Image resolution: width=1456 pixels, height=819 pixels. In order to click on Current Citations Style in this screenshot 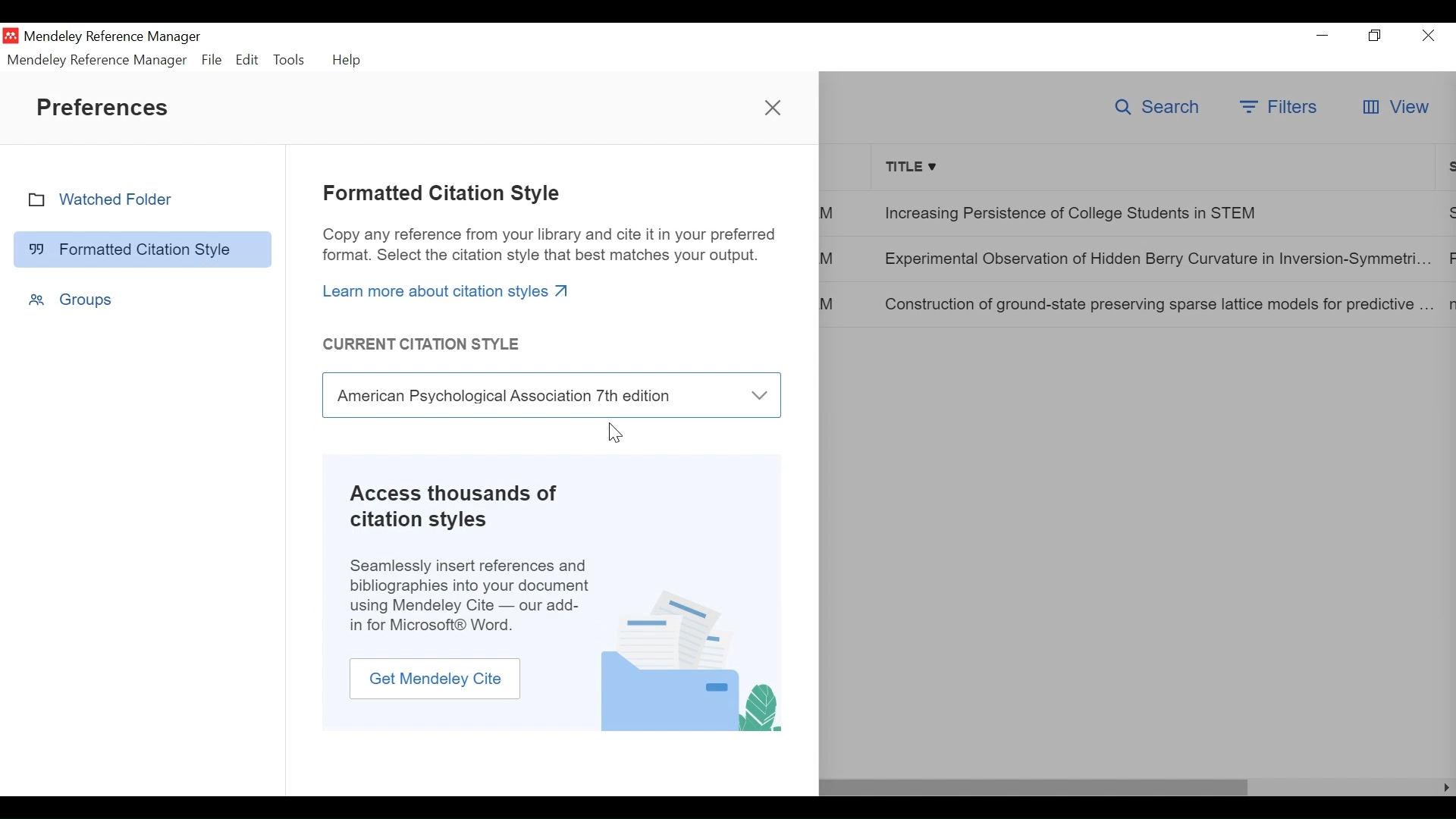, I will do `click(425, 344)`.